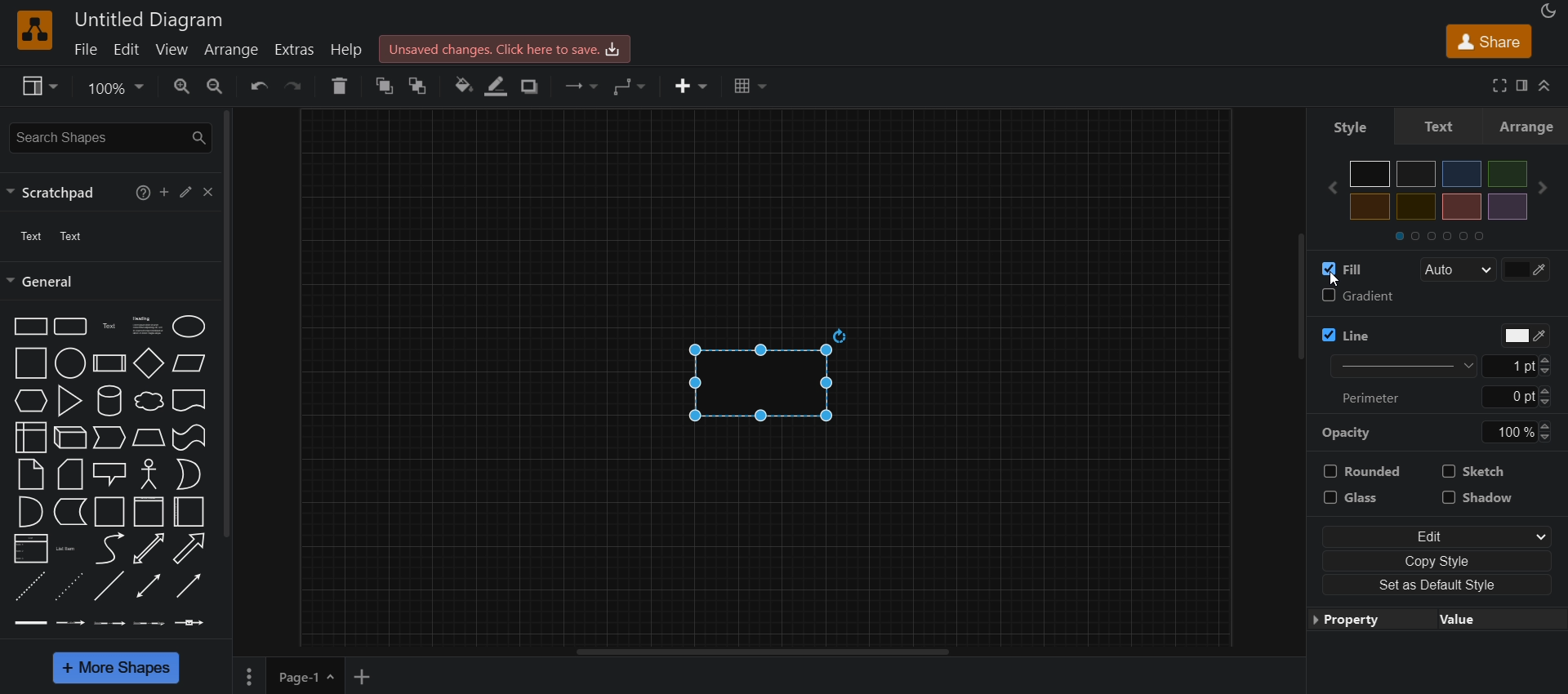 Image resolution: width=1568 pixels, height=694 pixels. What do you see at coordinates (186, 327) in the screenshot?
I see `ellipse` at bounding box center [186, 327].